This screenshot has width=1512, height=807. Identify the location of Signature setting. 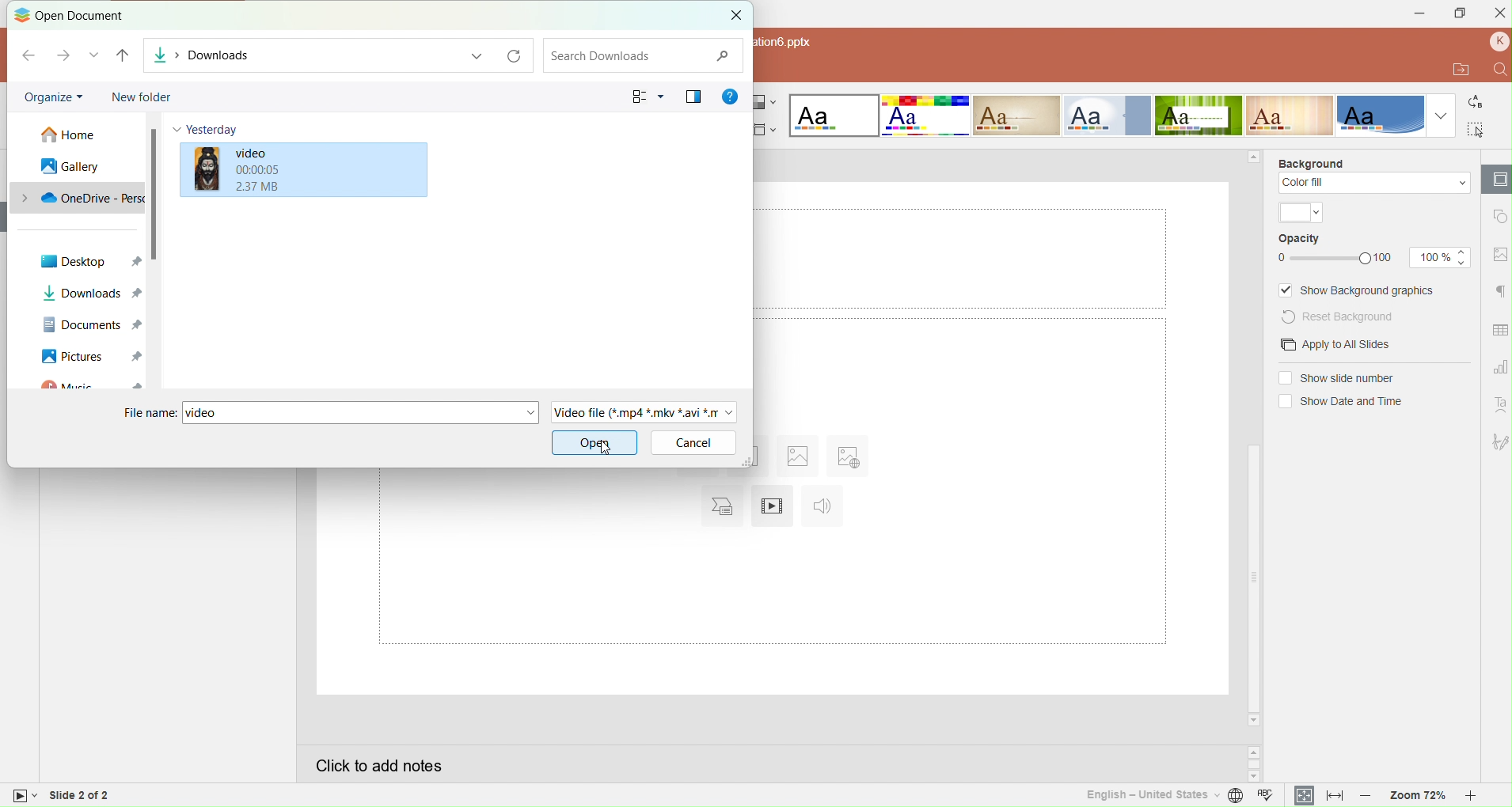
(1498, 438).